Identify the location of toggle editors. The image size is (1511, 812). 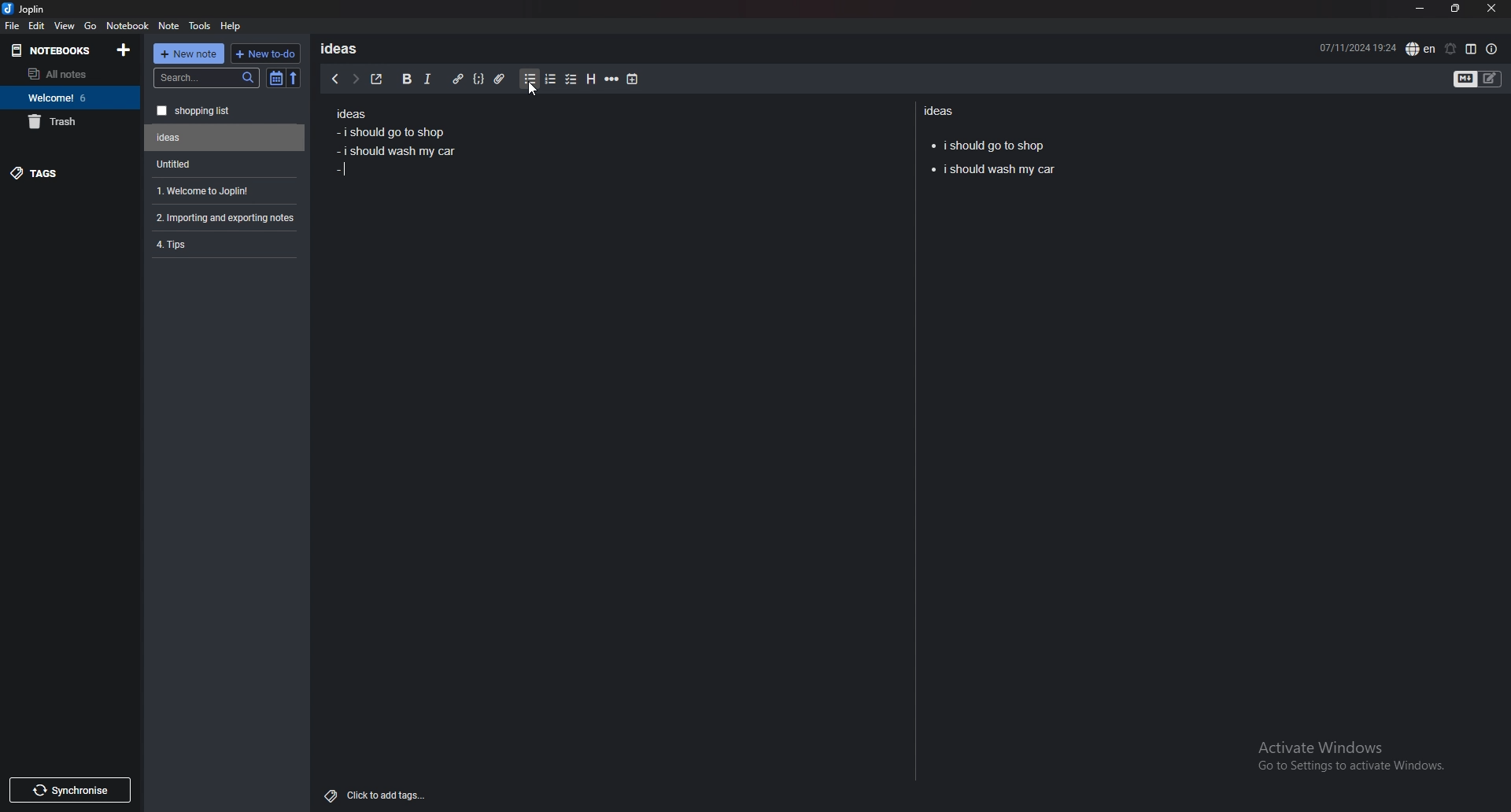
(1478, 80).